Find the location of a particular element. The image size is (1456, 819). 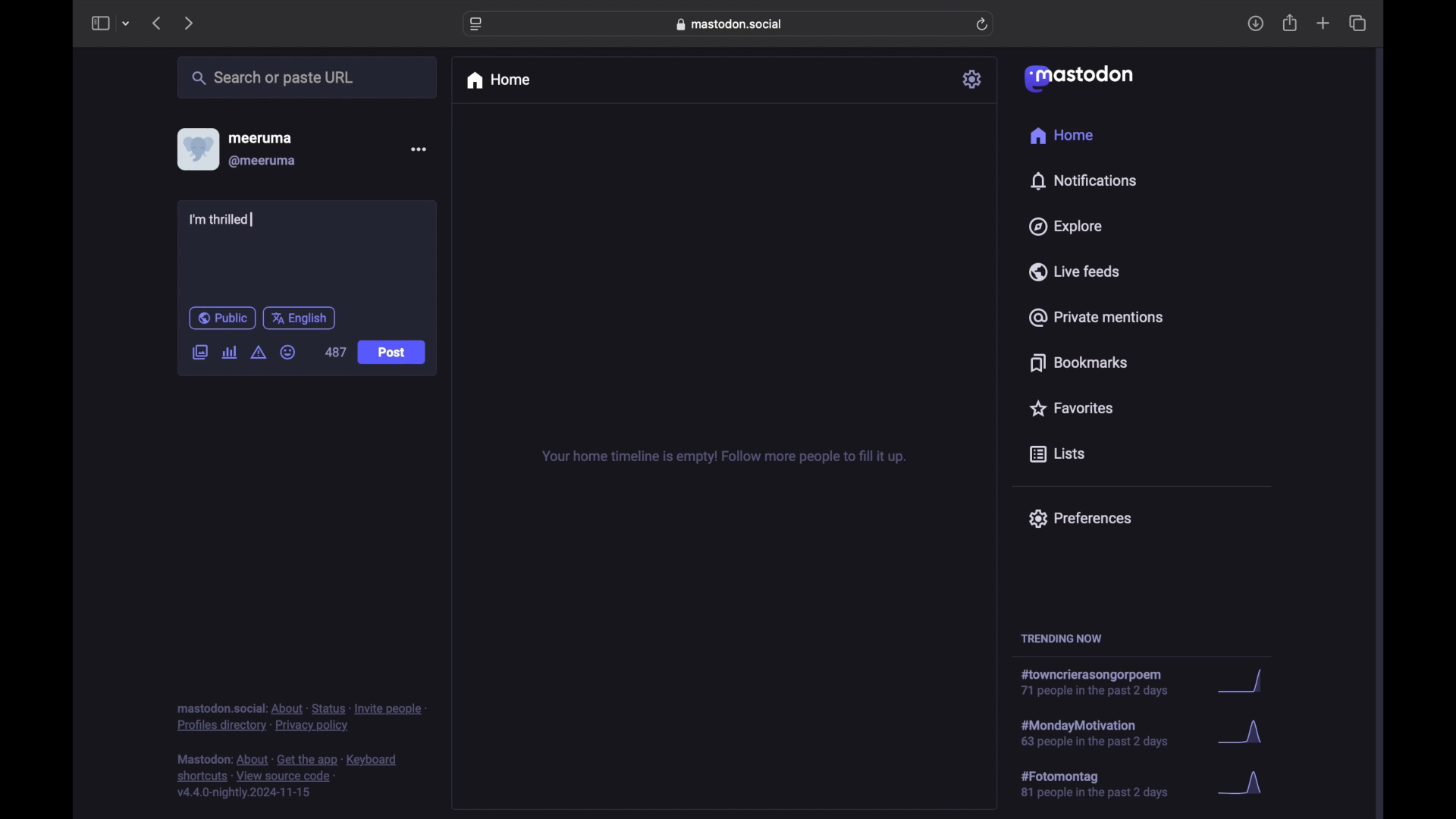

english is located at coordinates (300, 318).